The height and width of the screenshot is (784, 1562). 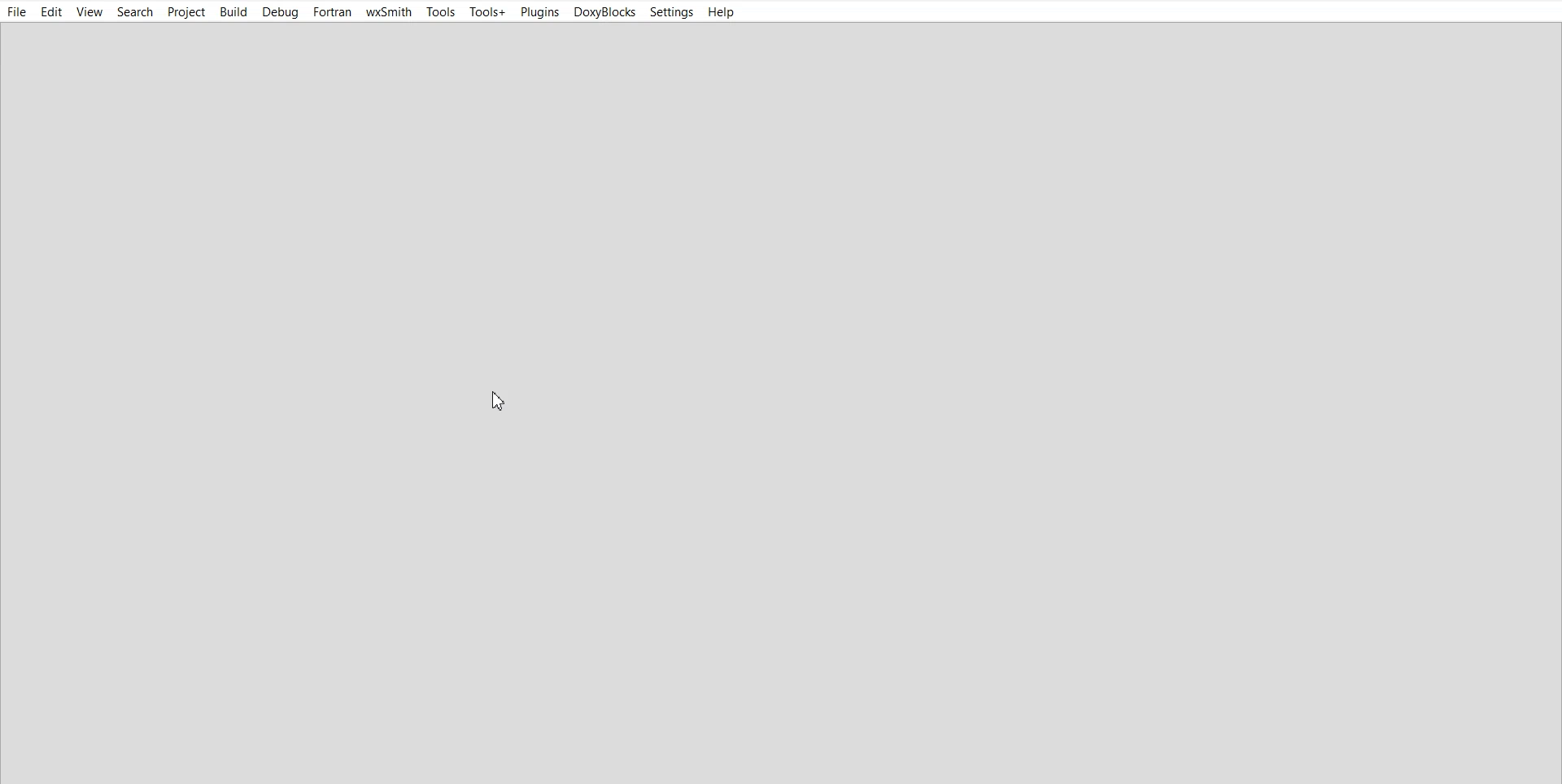 What do you see at coordinates (440, 11) in the screenshot?
I see `Tools` at bounding box center [440, 11].